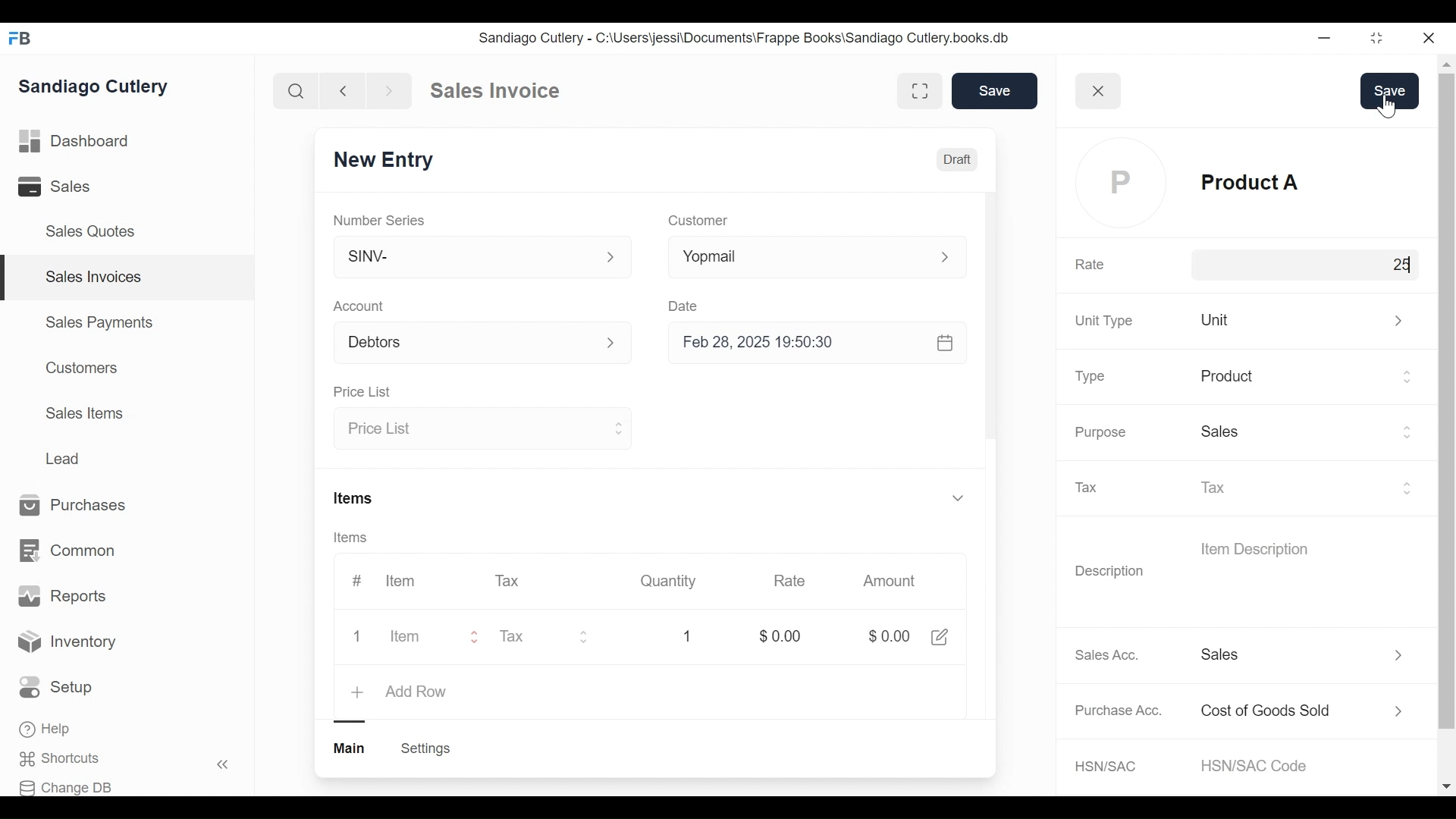  Describe the element at coordinates (351, 748) in the screenshot. I see `main` at that location.